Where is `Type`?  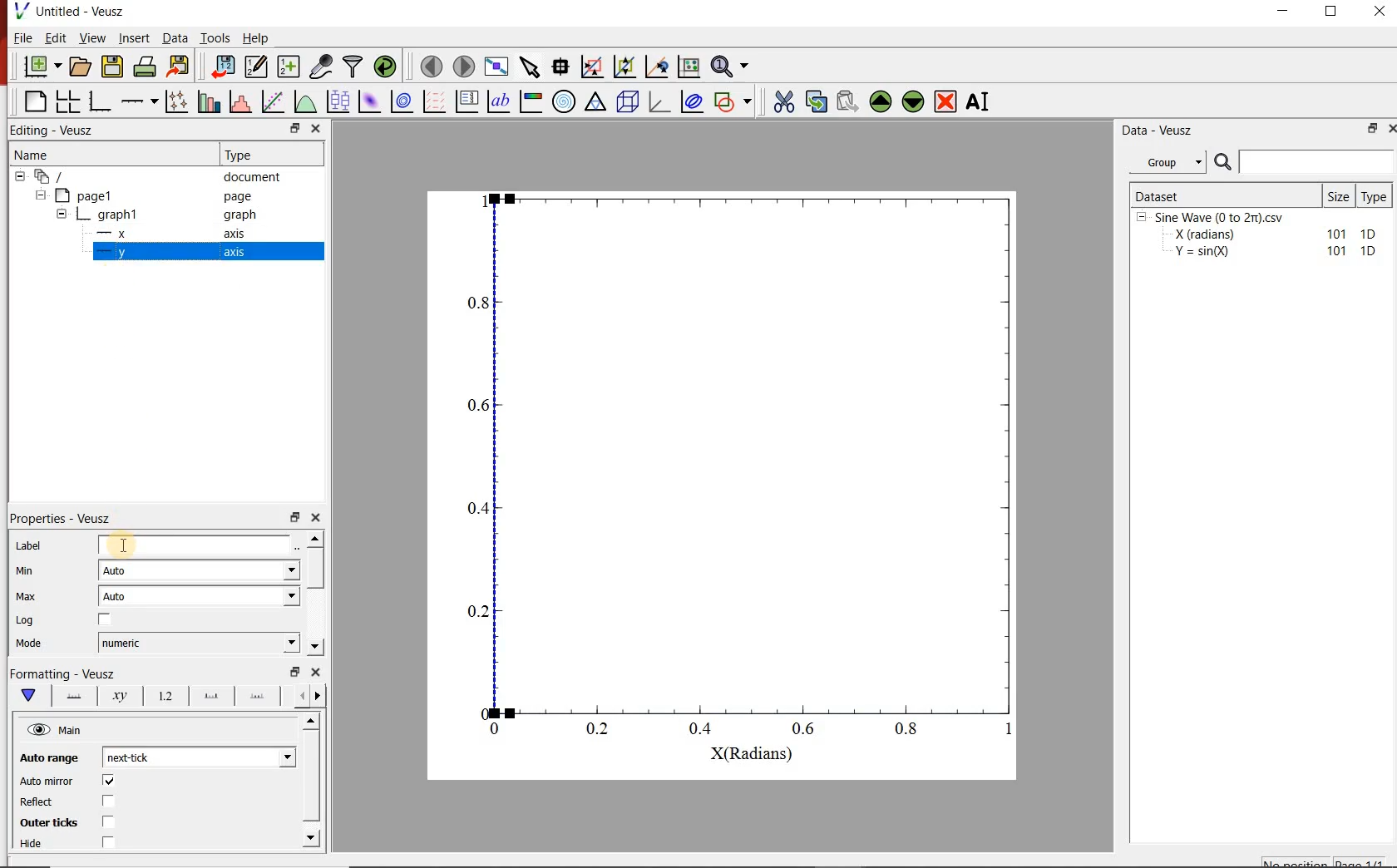 Type is located at coordinates (1377, 195).